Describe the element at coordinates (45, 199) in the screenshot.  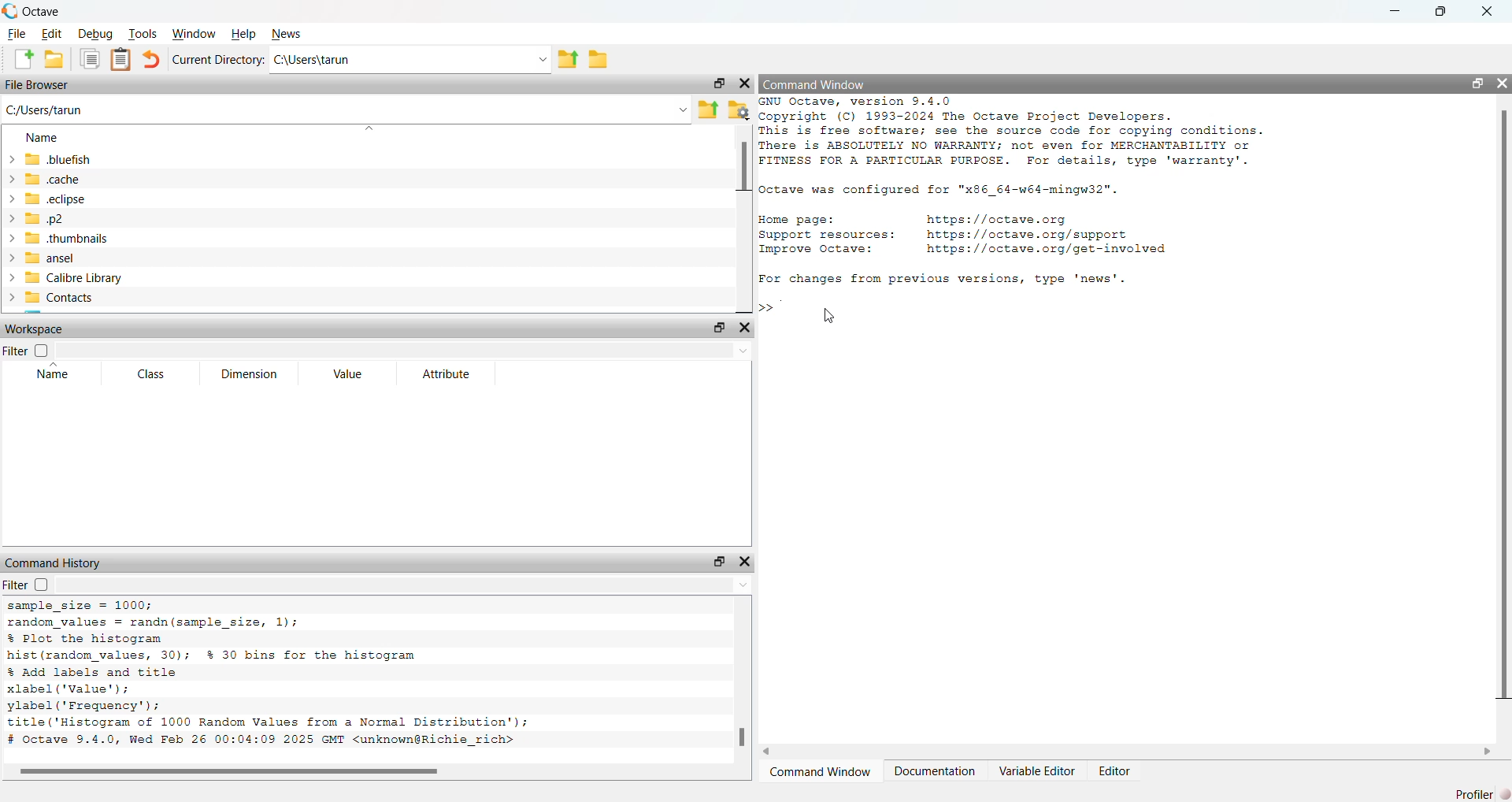
I see `.eclipse` at that location.